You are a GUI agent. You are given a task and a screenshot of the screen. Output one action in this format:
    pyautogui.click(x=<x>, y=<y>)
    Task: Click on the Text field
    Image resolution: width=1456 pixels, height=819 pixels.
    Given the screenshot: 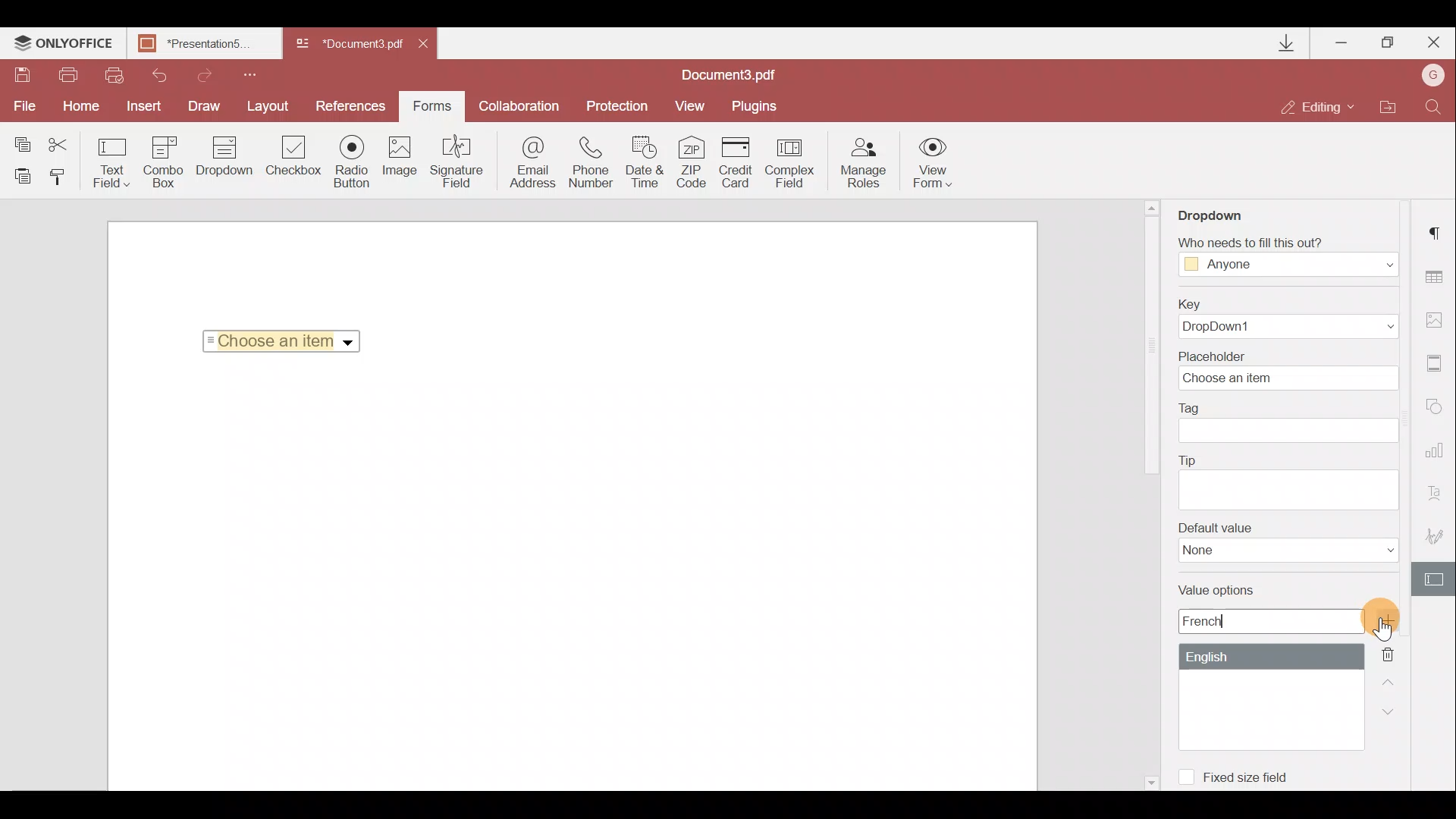 What is the action you would take?
    pyautogui.click(x=112, y=162)
    